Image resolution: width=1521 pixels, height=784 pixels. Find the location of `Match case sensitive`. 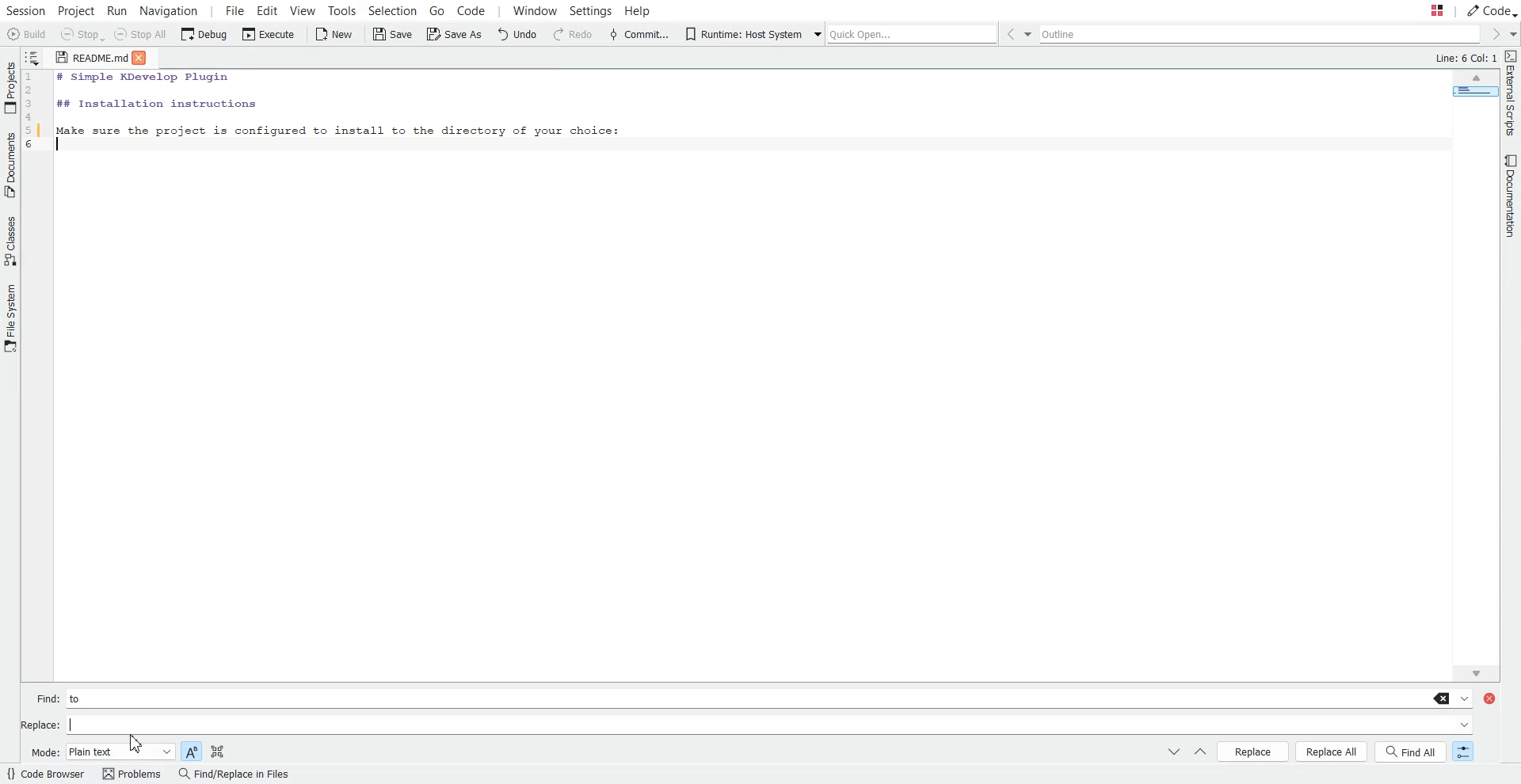

Match case sensitive is located at coordinates (191, 750).